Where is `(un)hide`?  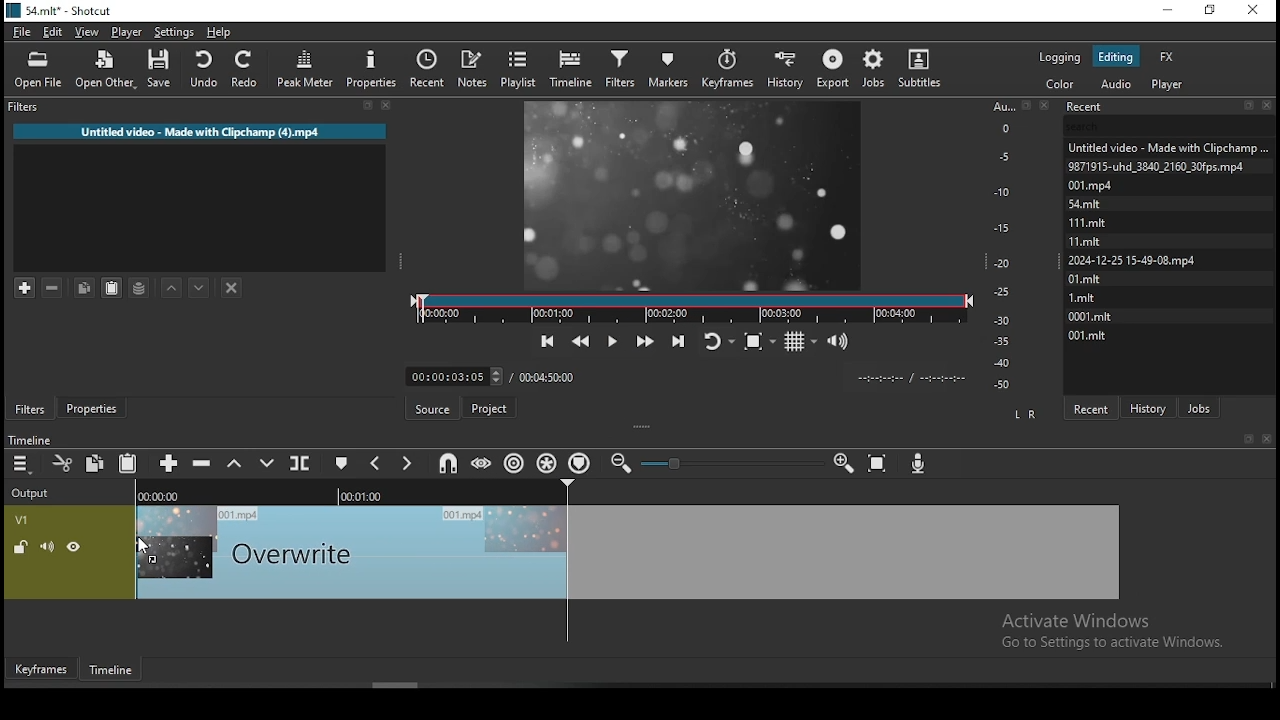 (un)hide is located at coordinates (73, 549).